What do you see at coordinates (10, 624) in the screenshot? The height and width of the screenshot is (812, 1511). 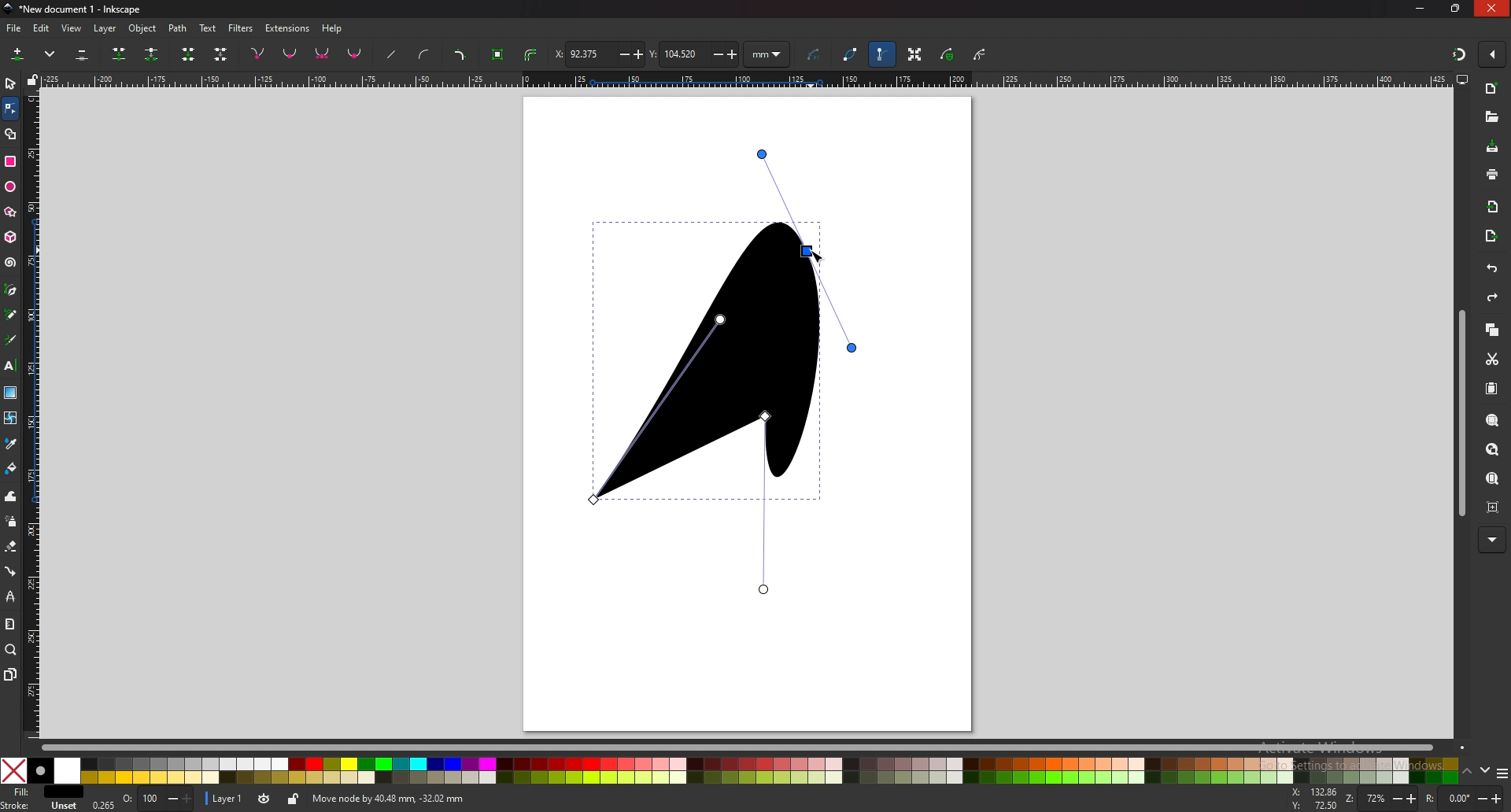 I see `measure` at bounding box center [10, 624].